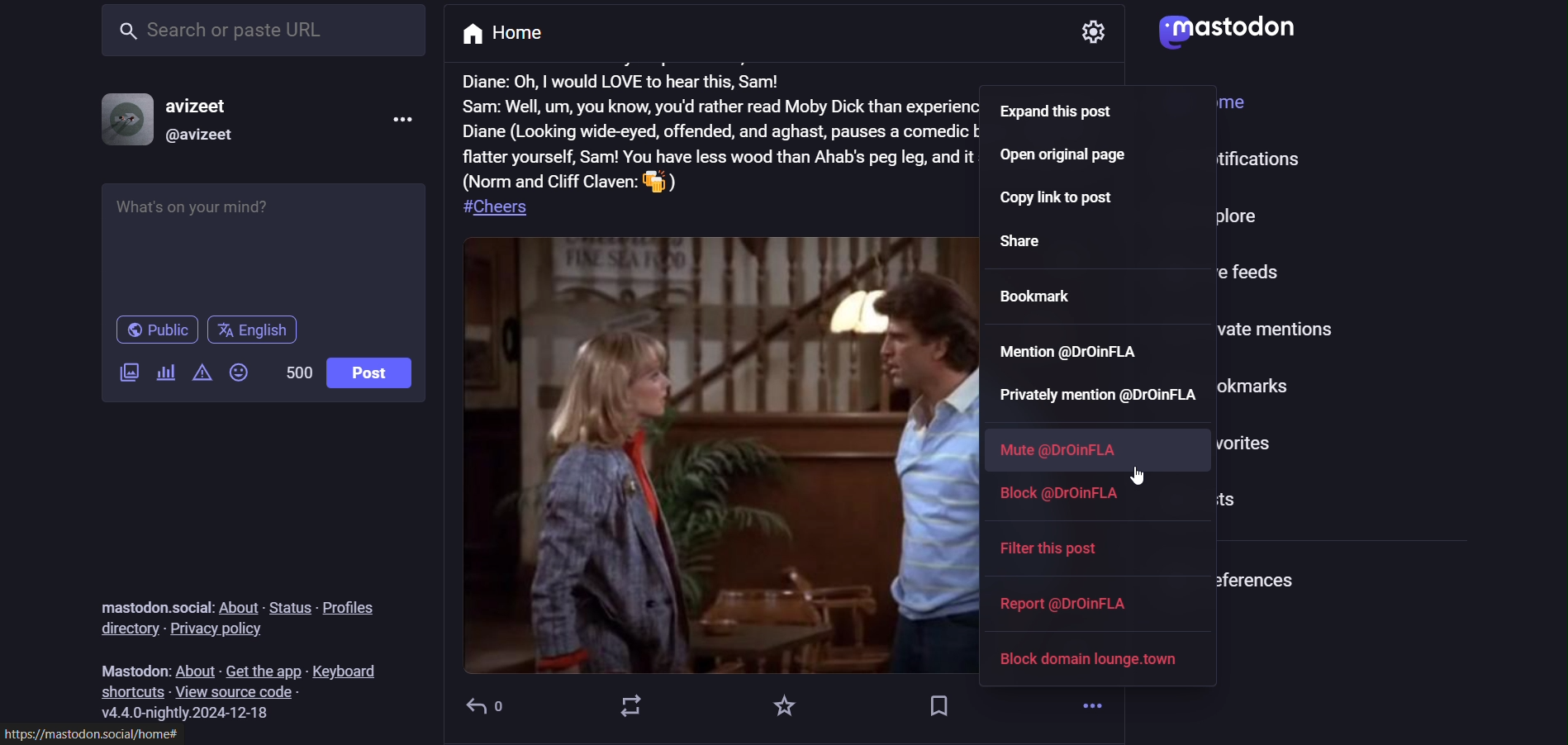 The height and width of the screenshot is (745, 1568). Describe the element at coordinates (260, 36) in the screenshot. I see `search` at that location.